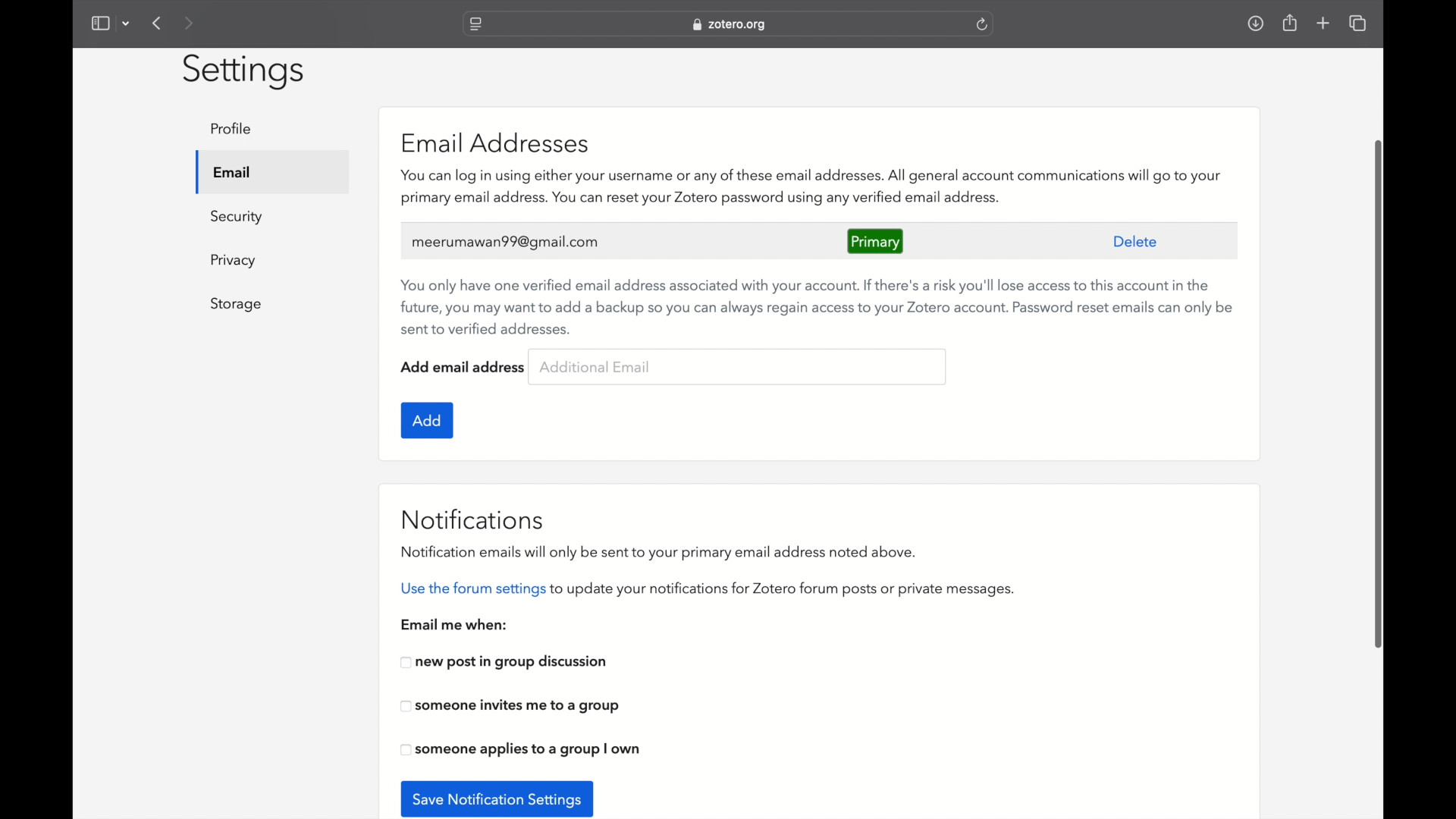 The width and height of the screenshot is (1456, 819). I want to click on new tab, so click(1323, 23).